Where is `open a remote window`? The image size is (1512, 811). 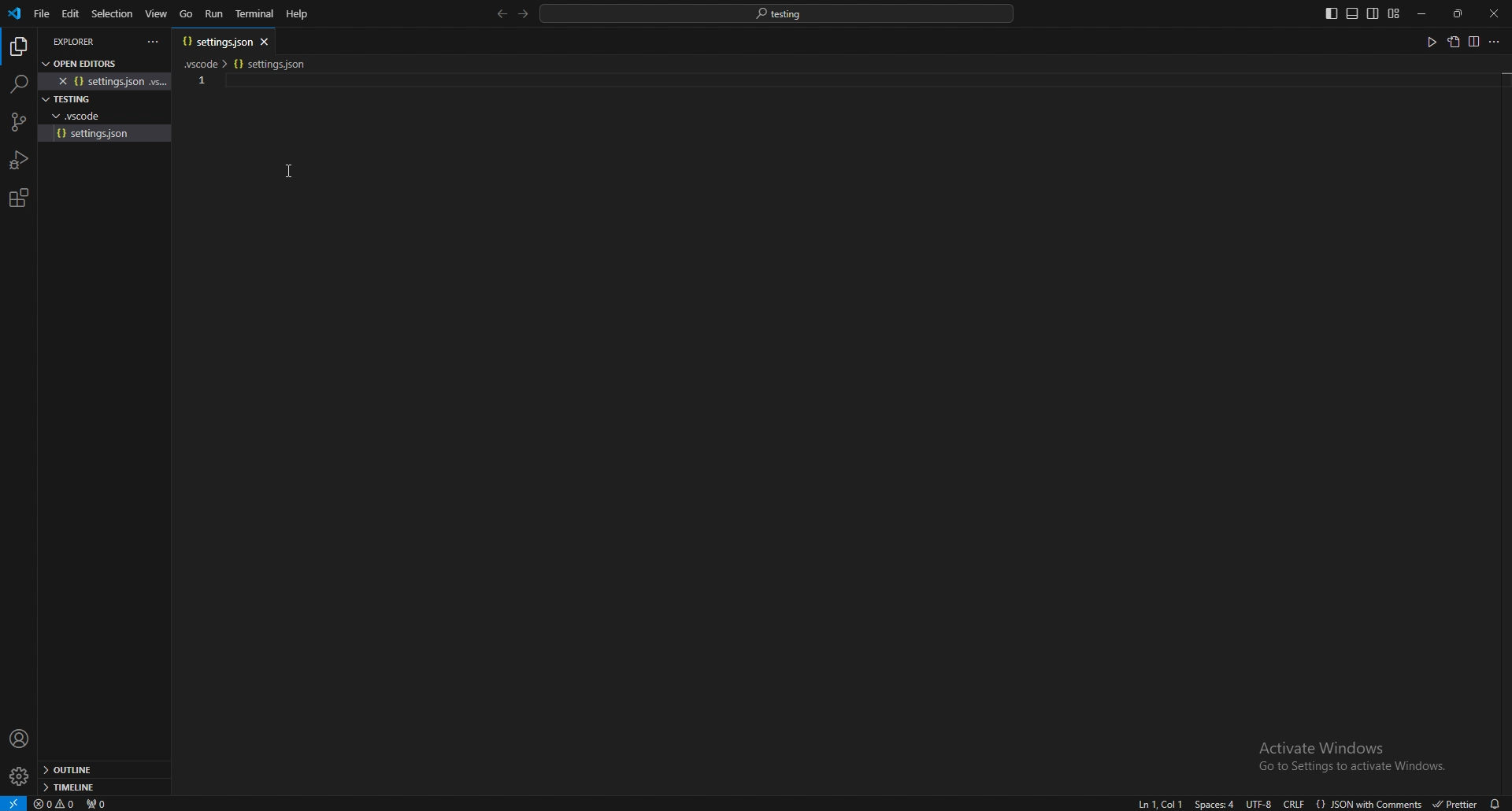 open a remote window is located at coordinates (13, 802).